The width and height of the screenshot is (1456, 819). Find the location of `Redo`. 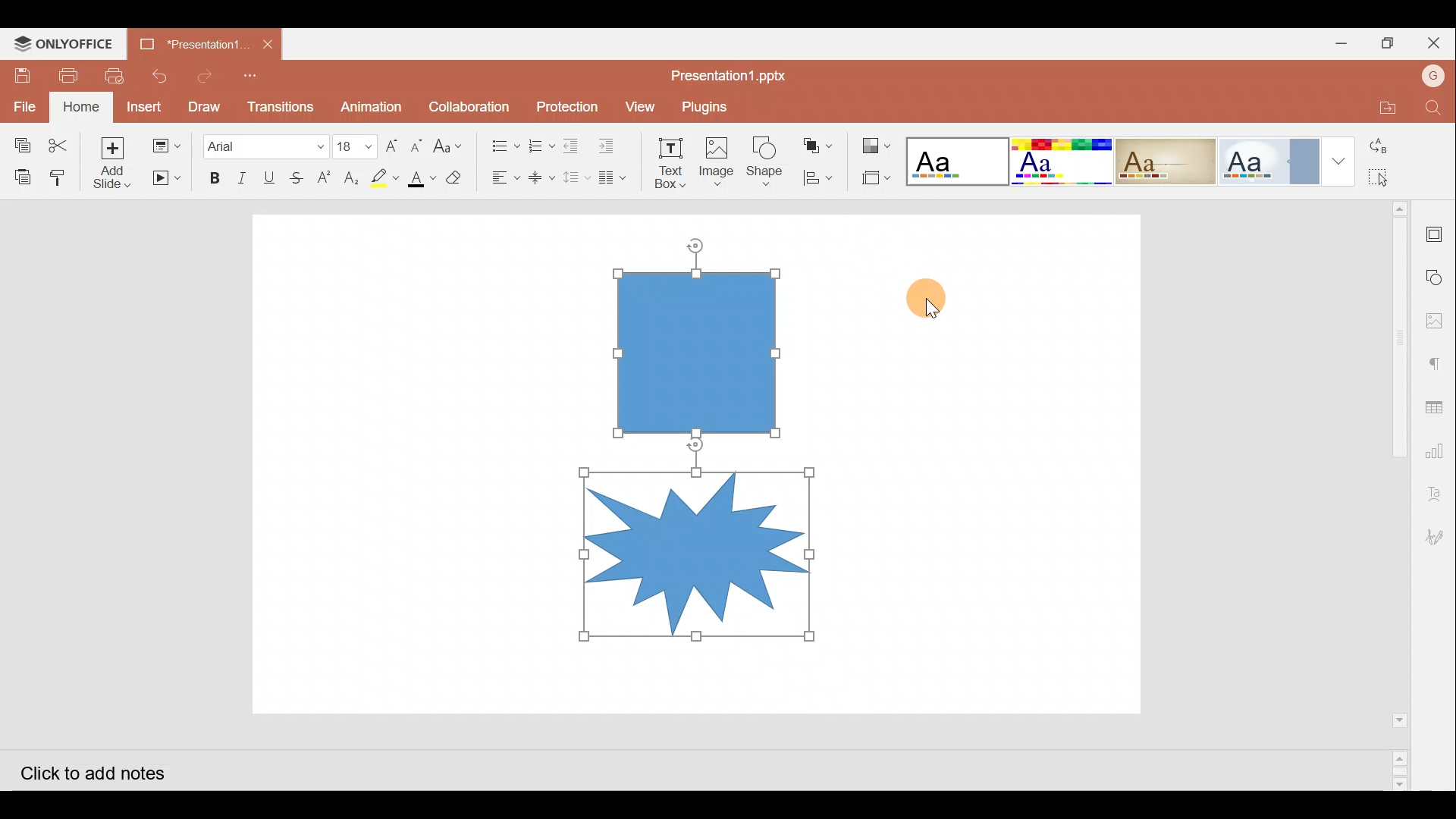

Redo is located at coordinates (203, 74).